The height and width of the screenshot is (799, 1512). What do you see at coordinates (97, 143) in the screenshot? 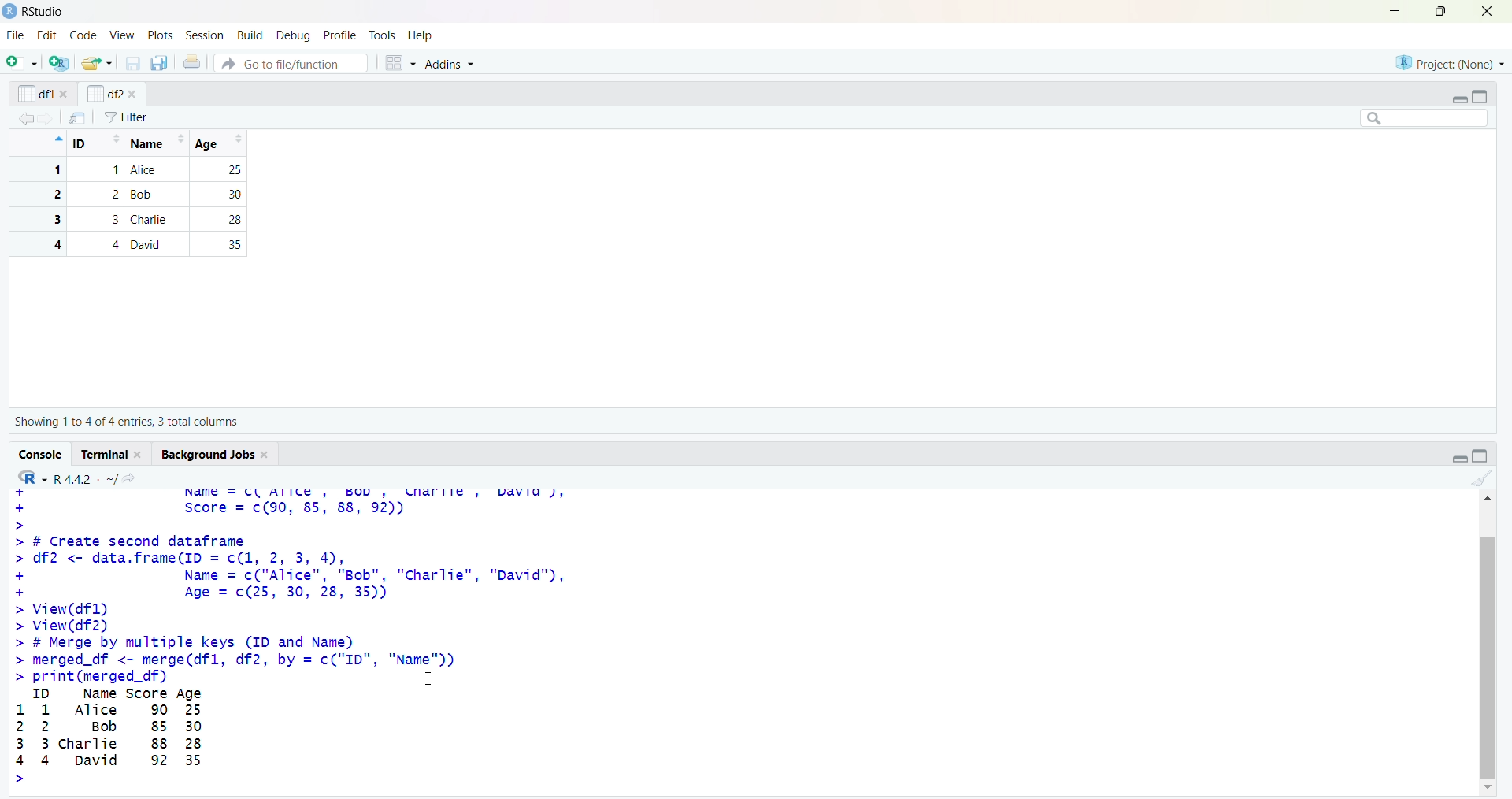
I see `ID` at bounding box center [97, 143].